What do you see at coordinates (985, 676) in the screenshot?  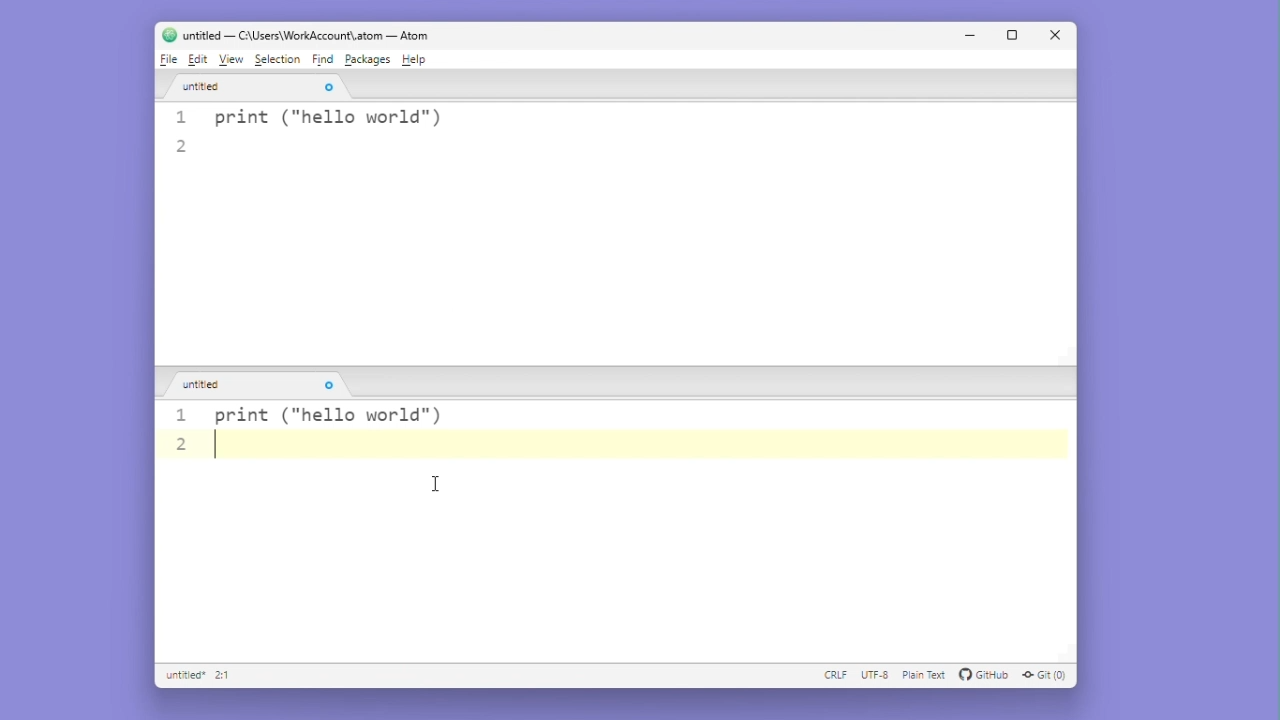 I see `github` at bounding box center [985, 676].